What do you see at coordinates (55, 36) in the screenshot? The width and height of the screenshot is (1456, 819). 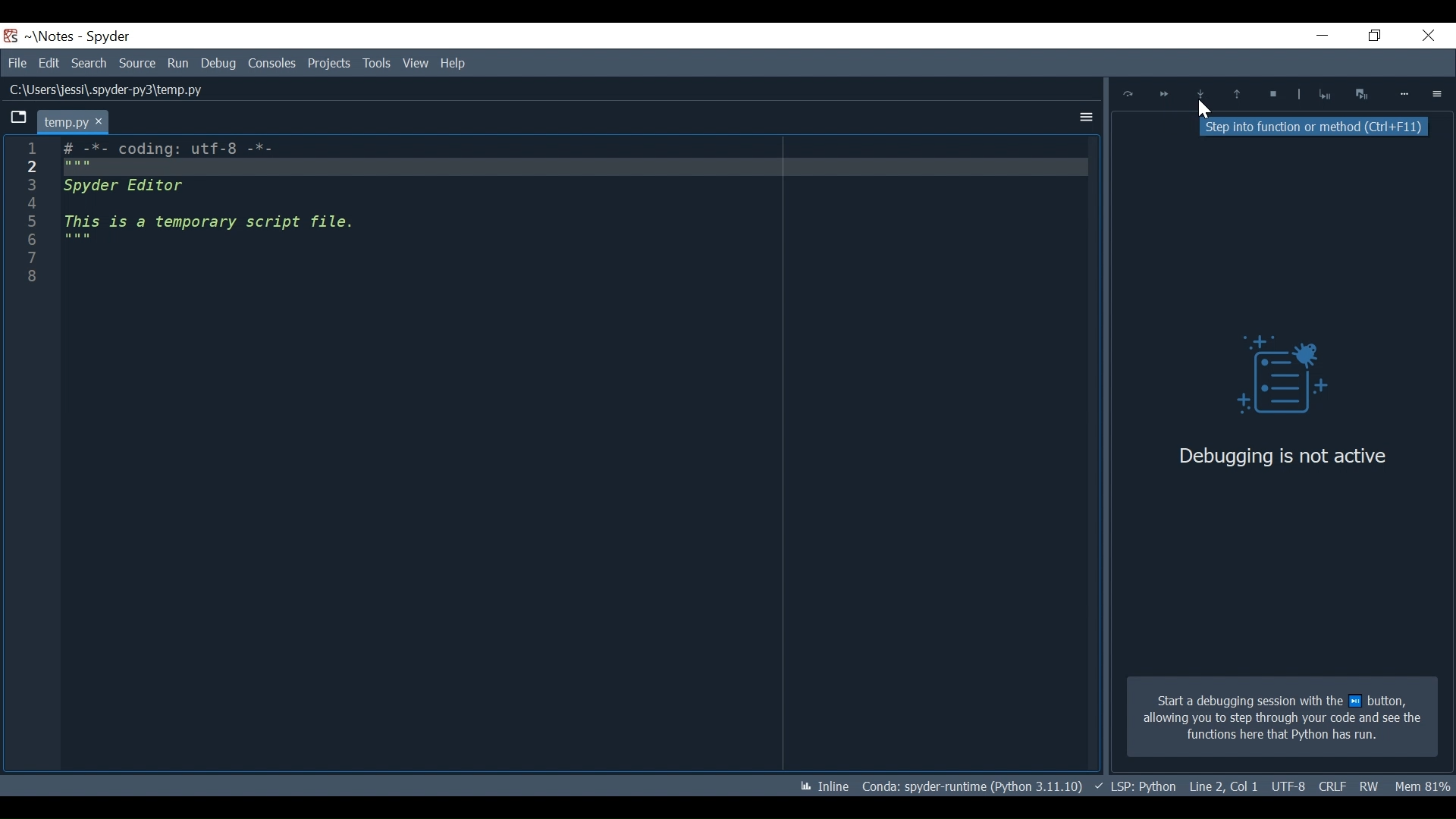 I see `Projects Name` at bounding box center [55, 36].